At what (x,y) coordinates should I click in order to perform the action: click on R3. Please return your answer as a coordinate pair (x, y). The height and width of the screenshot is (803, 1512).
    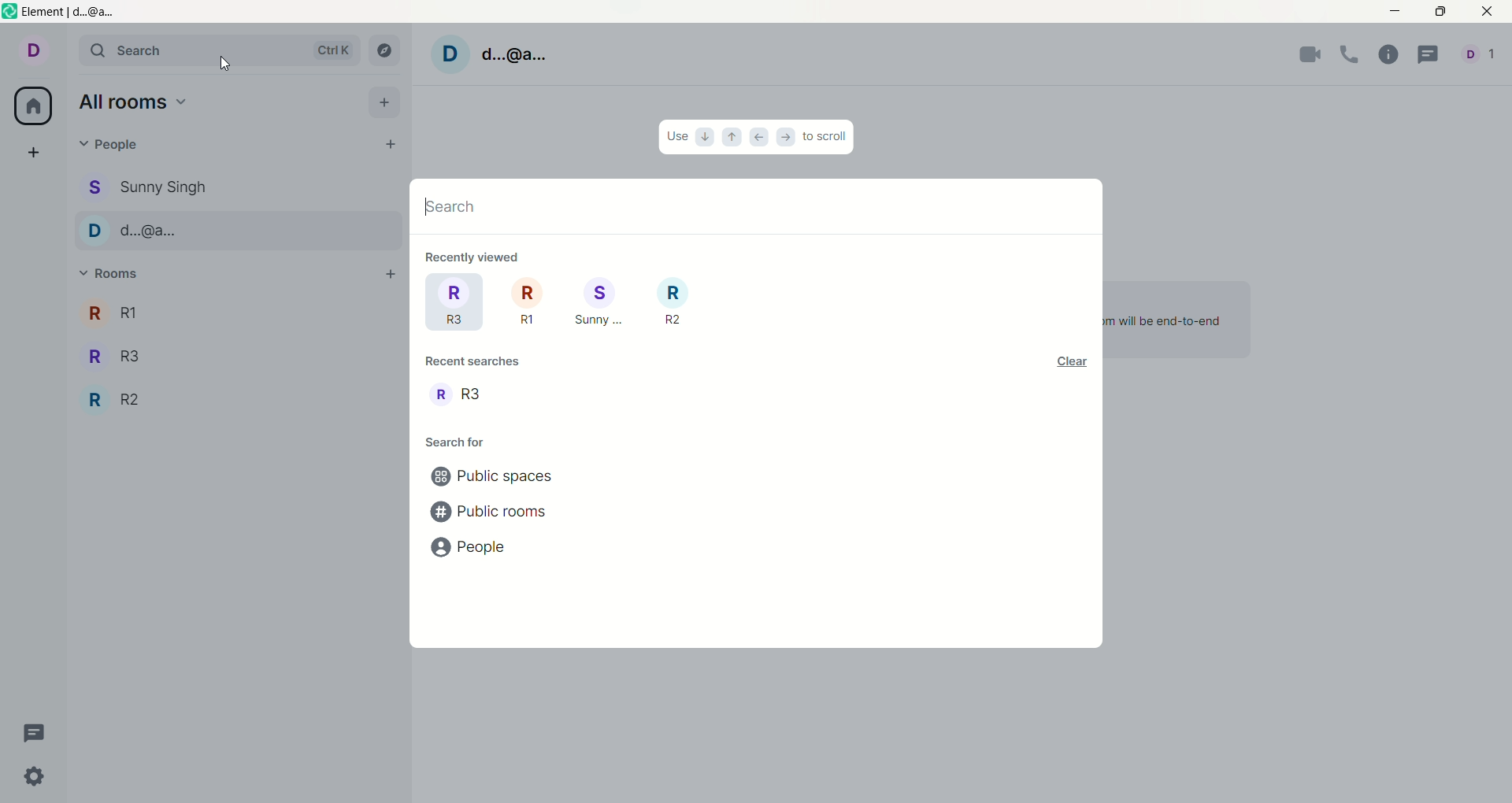
    Looking at the image, I should click on (112, 354).